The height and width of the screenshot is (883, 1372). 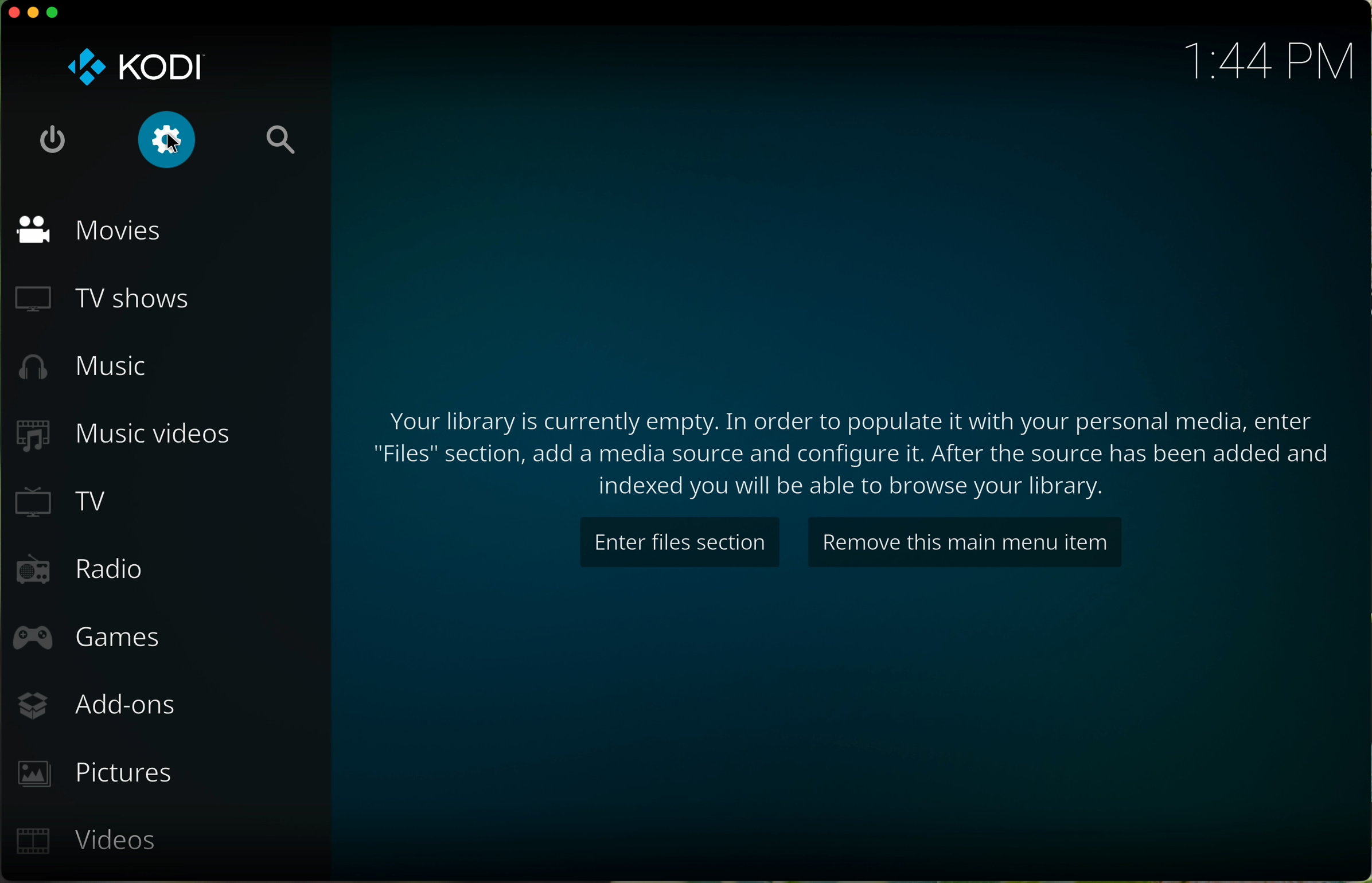 I want to click on minimize, so click(x=32, y=14).